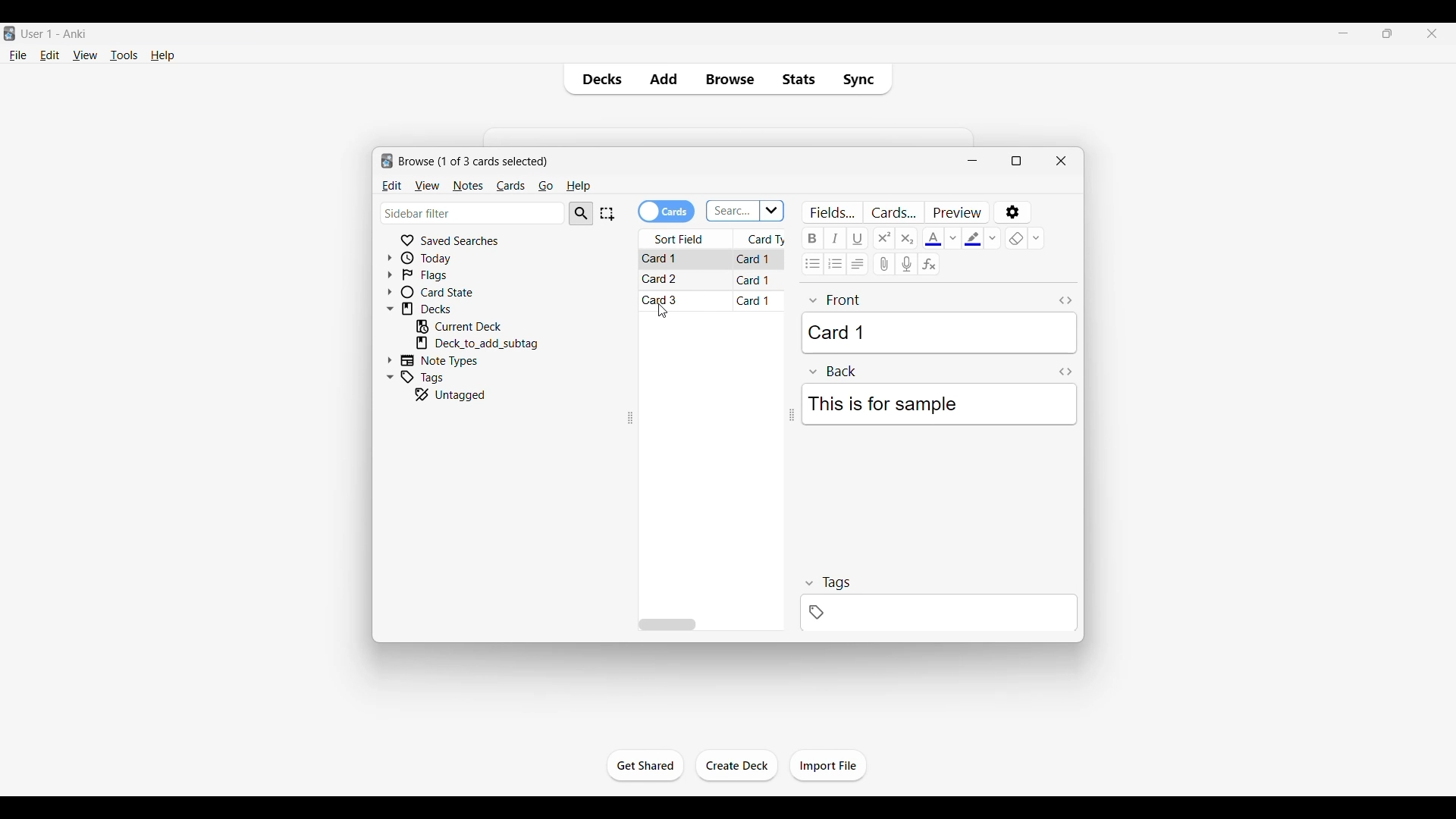 The image size is (1456, 819). Describe the element at coordinates (883, 264) in the screenshot. I see `Attach audio/video/picture` at that location.